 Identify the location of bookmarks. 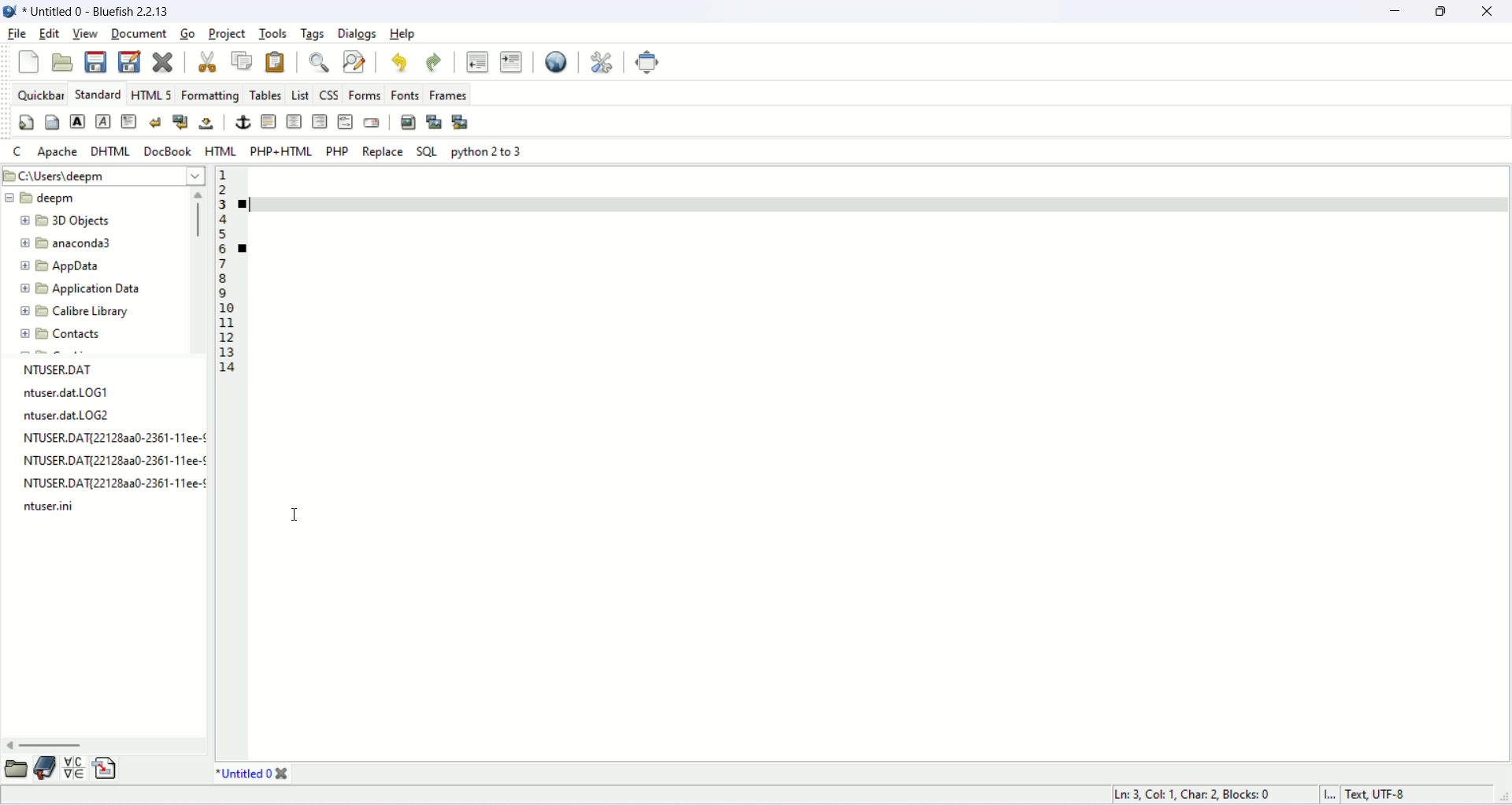
(46, 774).